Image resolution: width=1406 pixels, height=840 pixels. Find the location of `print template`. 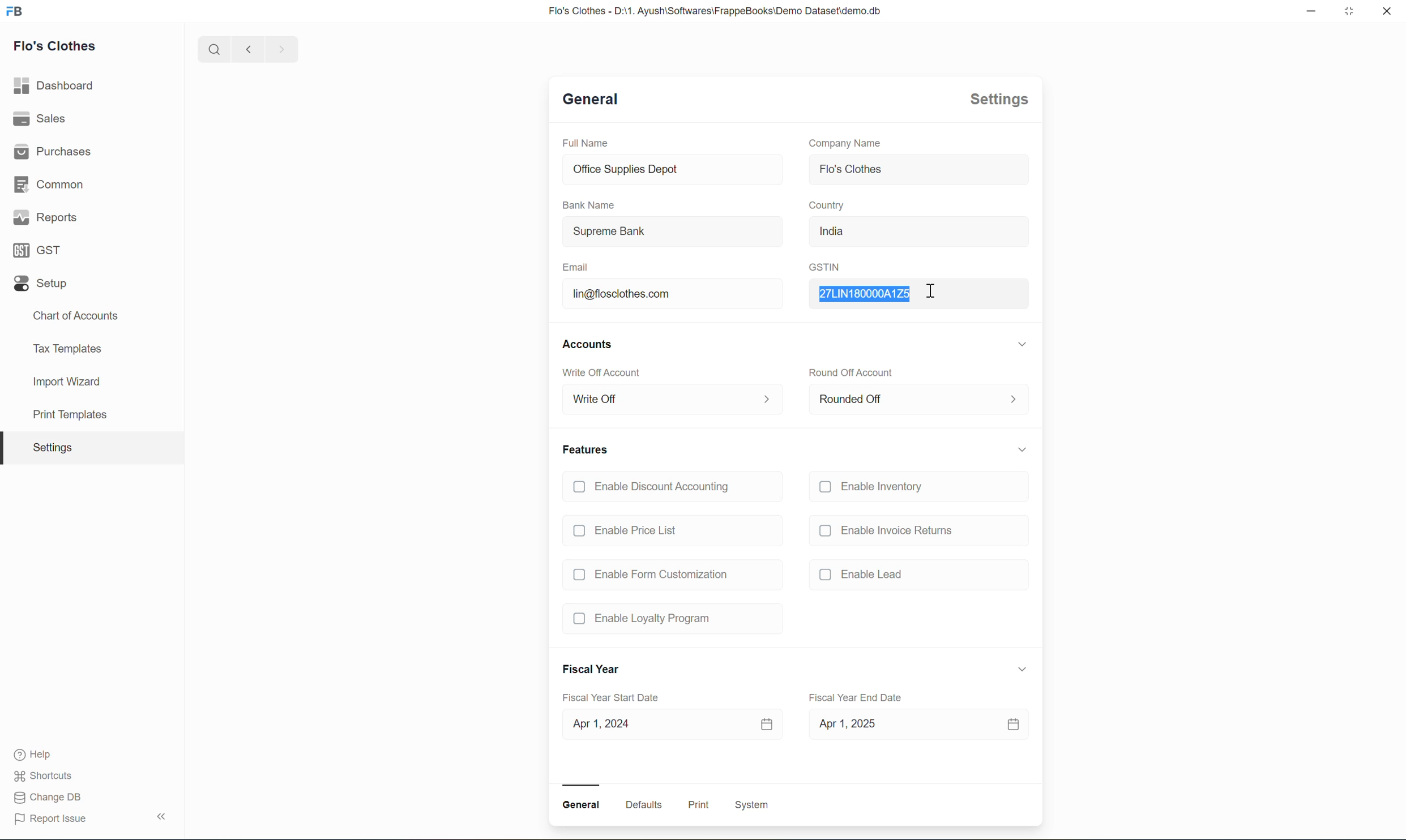

print template is located at coordinates (63, 417).